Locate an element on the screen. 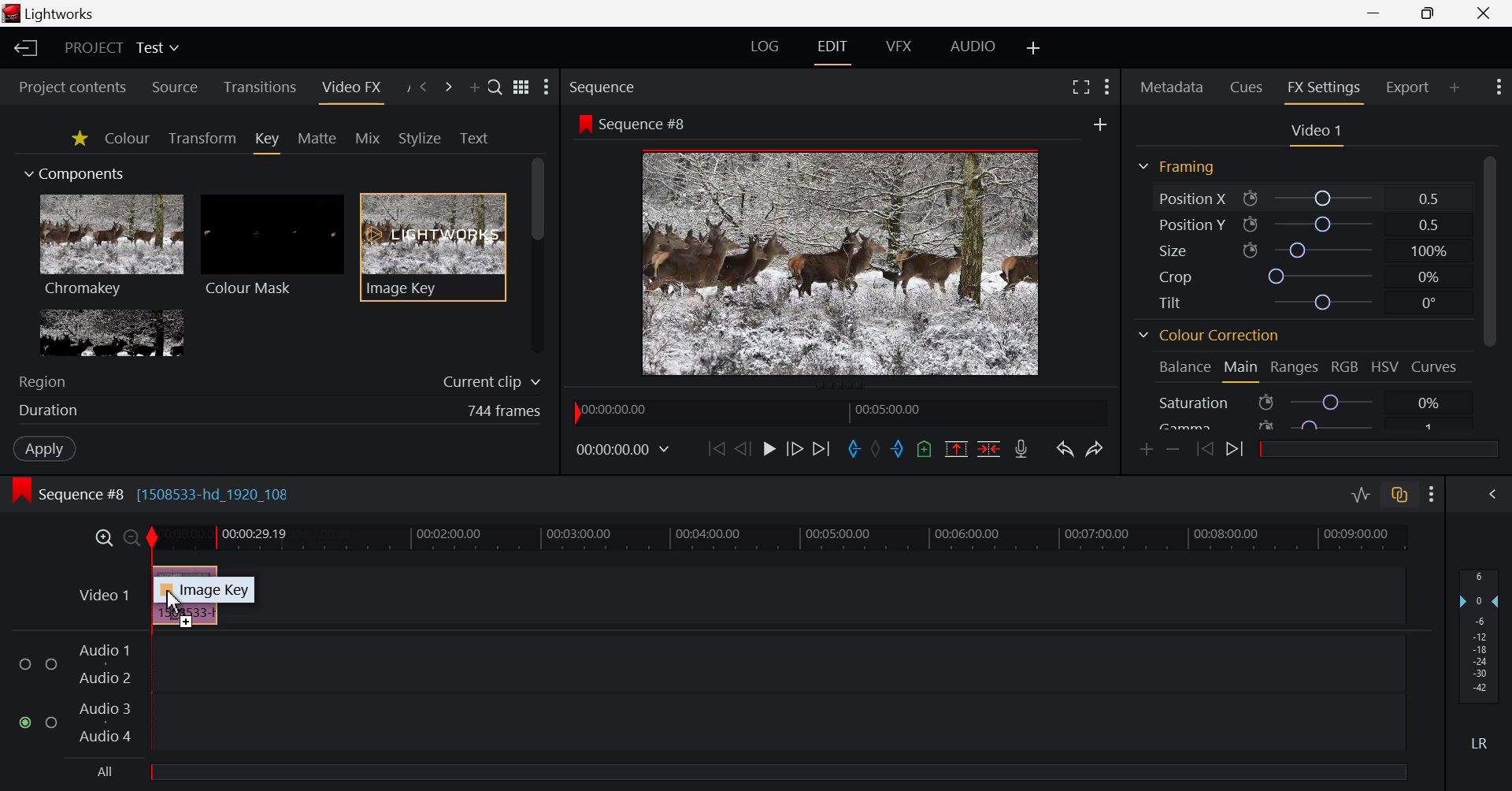 This screenshot has height=791, width=1512. Colour is located at coordinates (128, 139).